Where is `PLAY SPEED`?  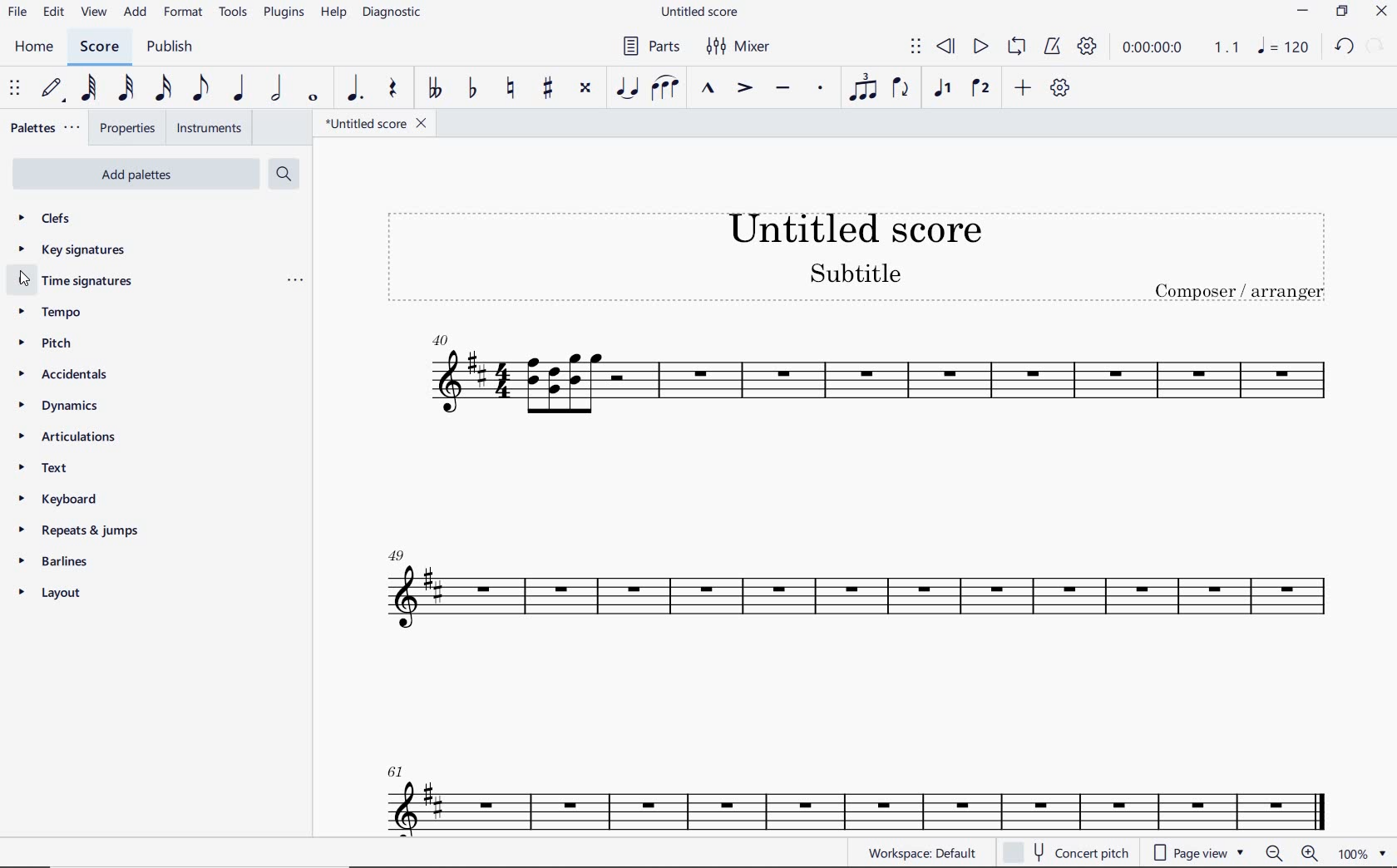
PLAY SPEED is located at coordinates (1182, 48).